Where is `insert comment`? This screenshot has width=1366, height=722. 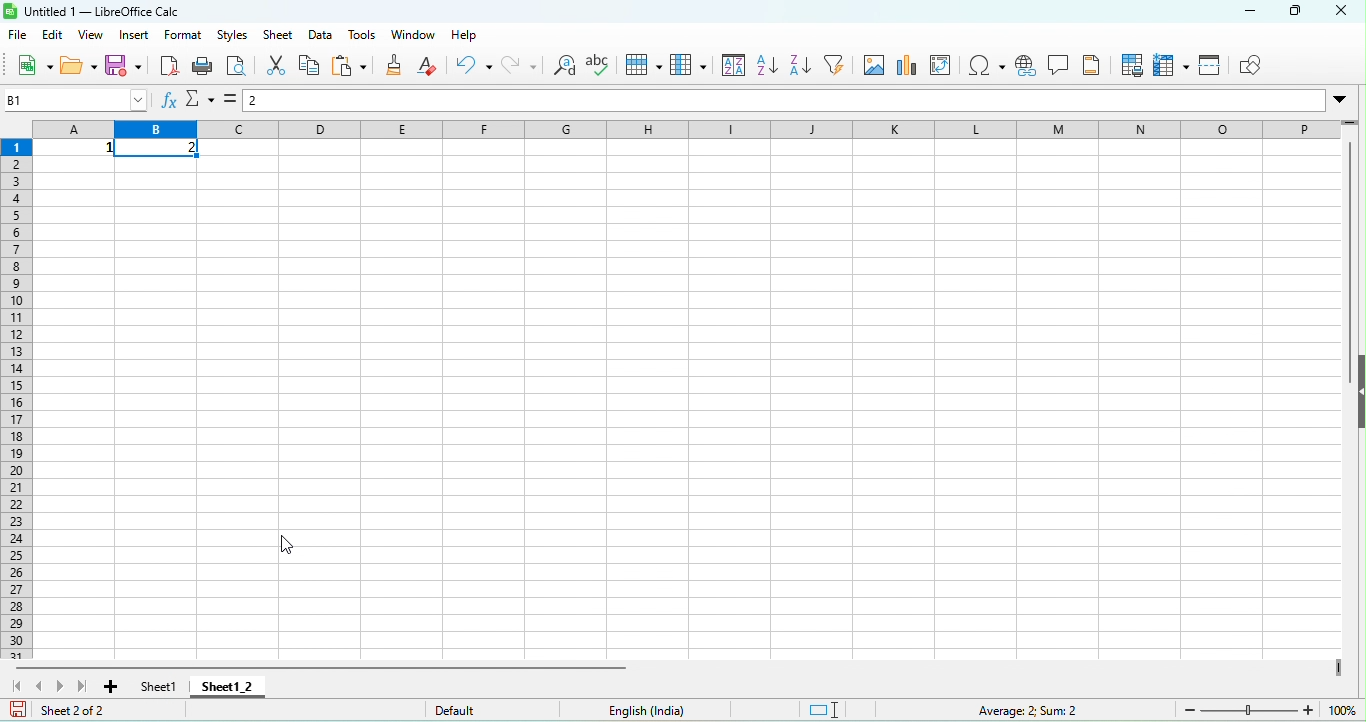 insert comment is located at coordinates (1062, 68).